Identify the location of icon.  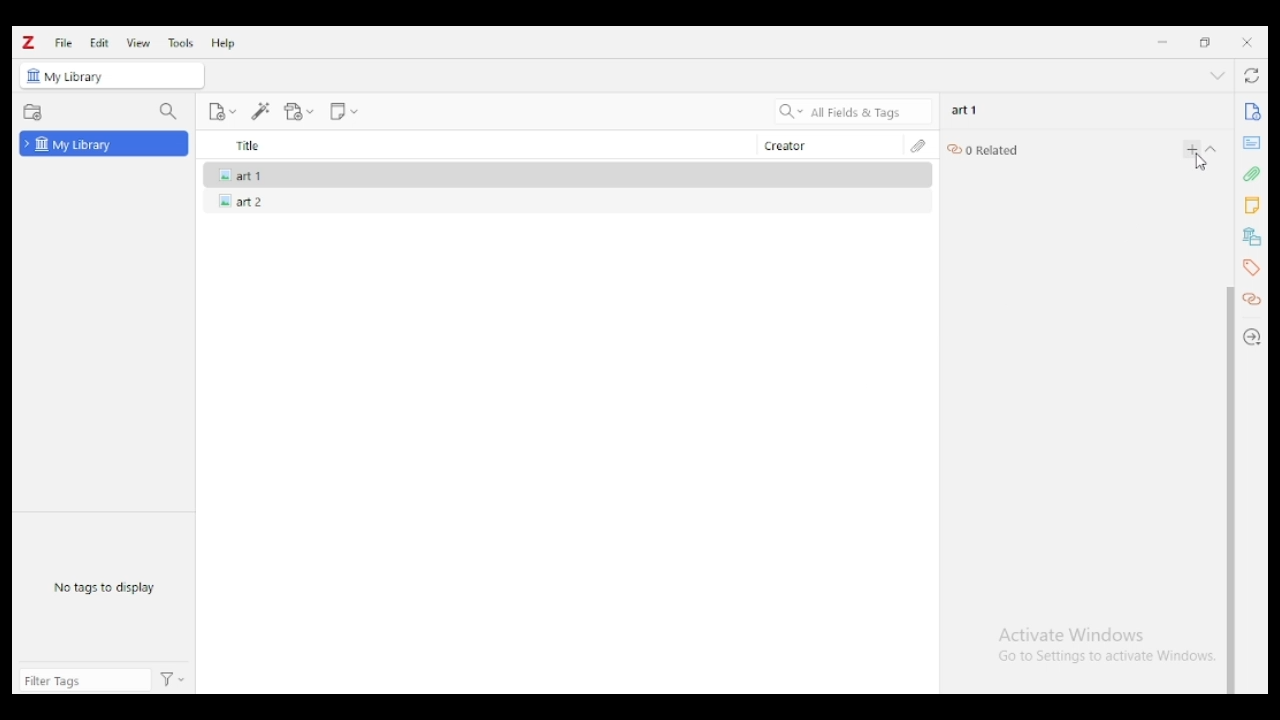
(33, 76).